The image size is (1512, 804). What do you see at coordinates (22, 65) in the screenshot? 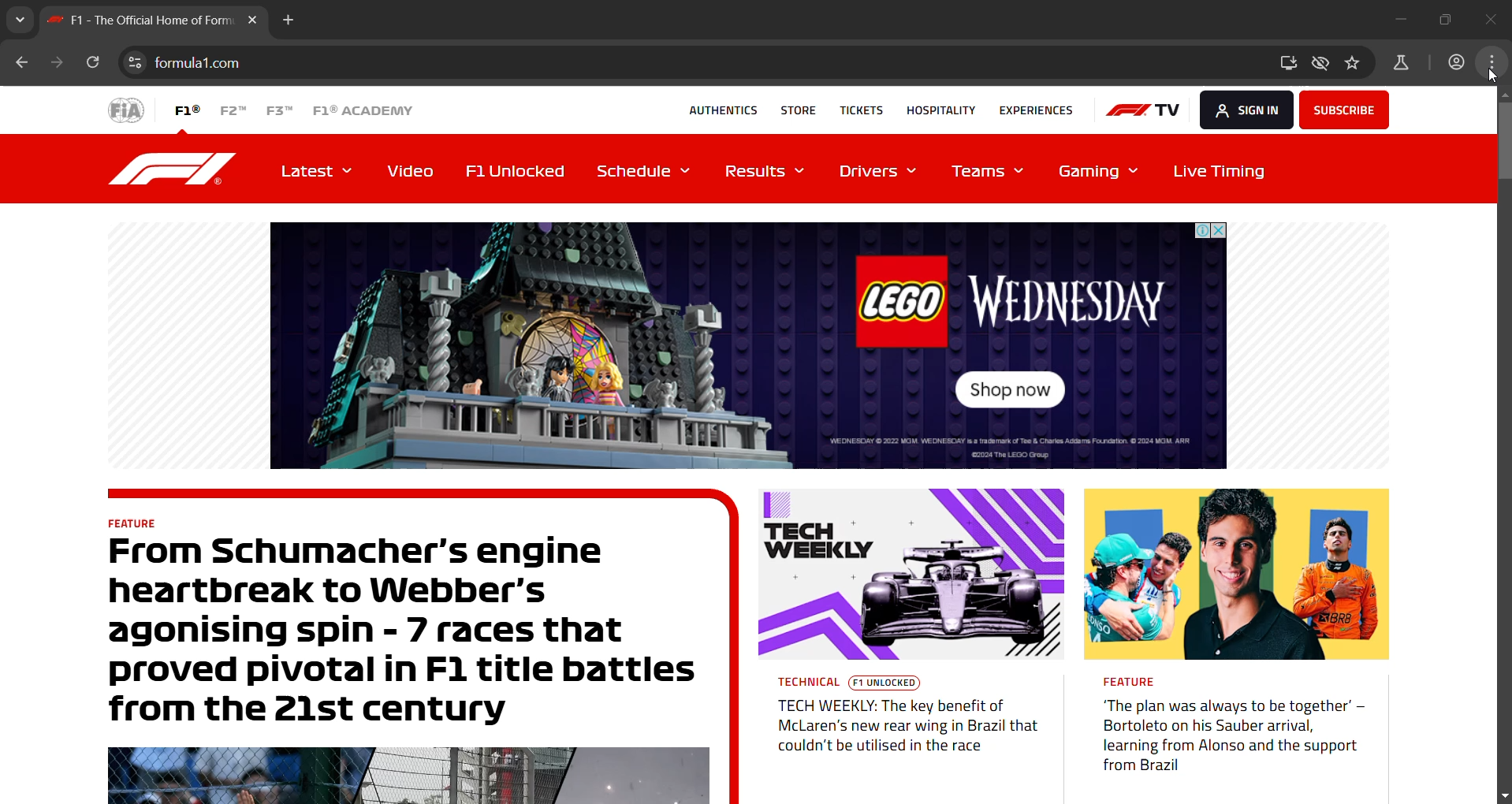
I see `click to go back` at bounding box center [22, 65].